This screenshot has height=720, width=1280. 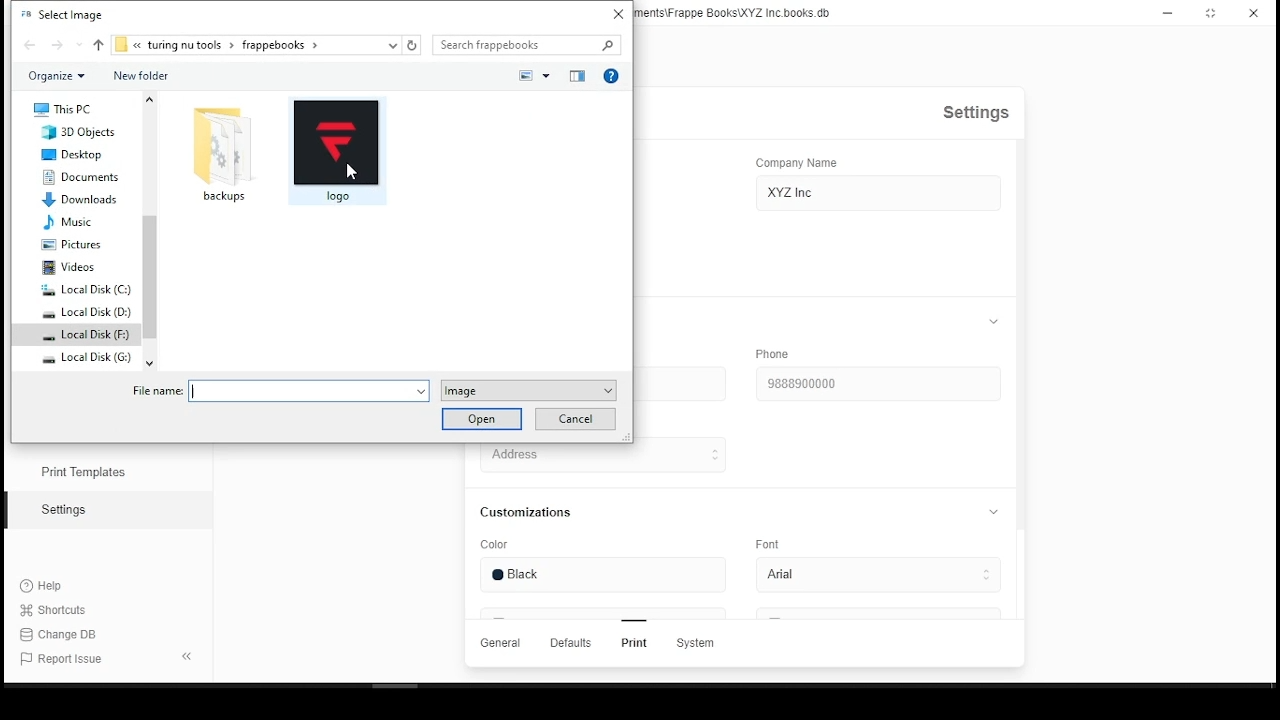 What do you see at coordinates (804, 383) in the screenshot?
I see `9888900000` at bounding box center [804, 383].